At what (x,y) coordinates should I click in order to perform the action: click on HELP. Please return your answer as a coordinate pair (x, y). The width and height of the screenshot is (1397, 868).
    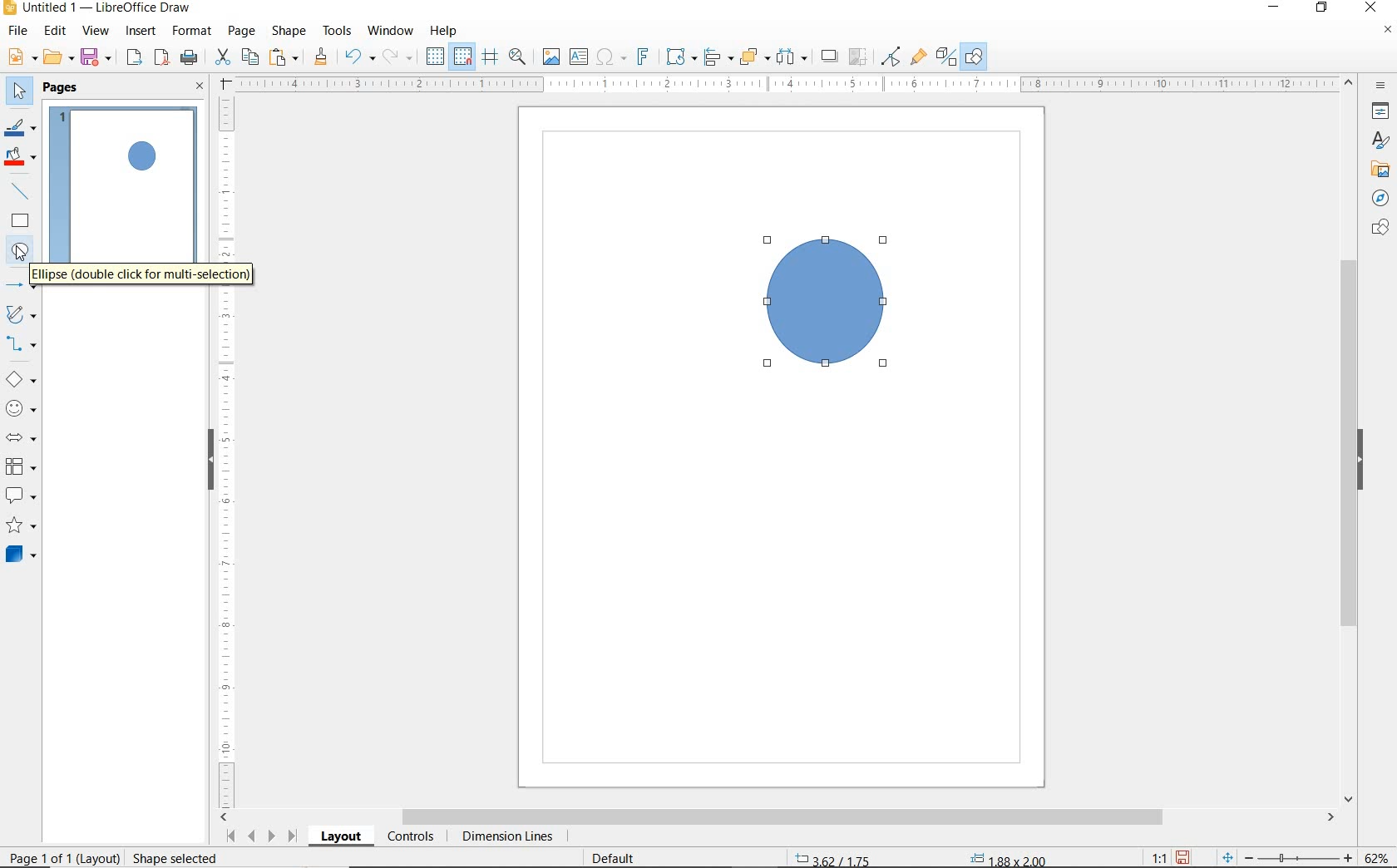
    Looking at the image, I should click on (444, 31).